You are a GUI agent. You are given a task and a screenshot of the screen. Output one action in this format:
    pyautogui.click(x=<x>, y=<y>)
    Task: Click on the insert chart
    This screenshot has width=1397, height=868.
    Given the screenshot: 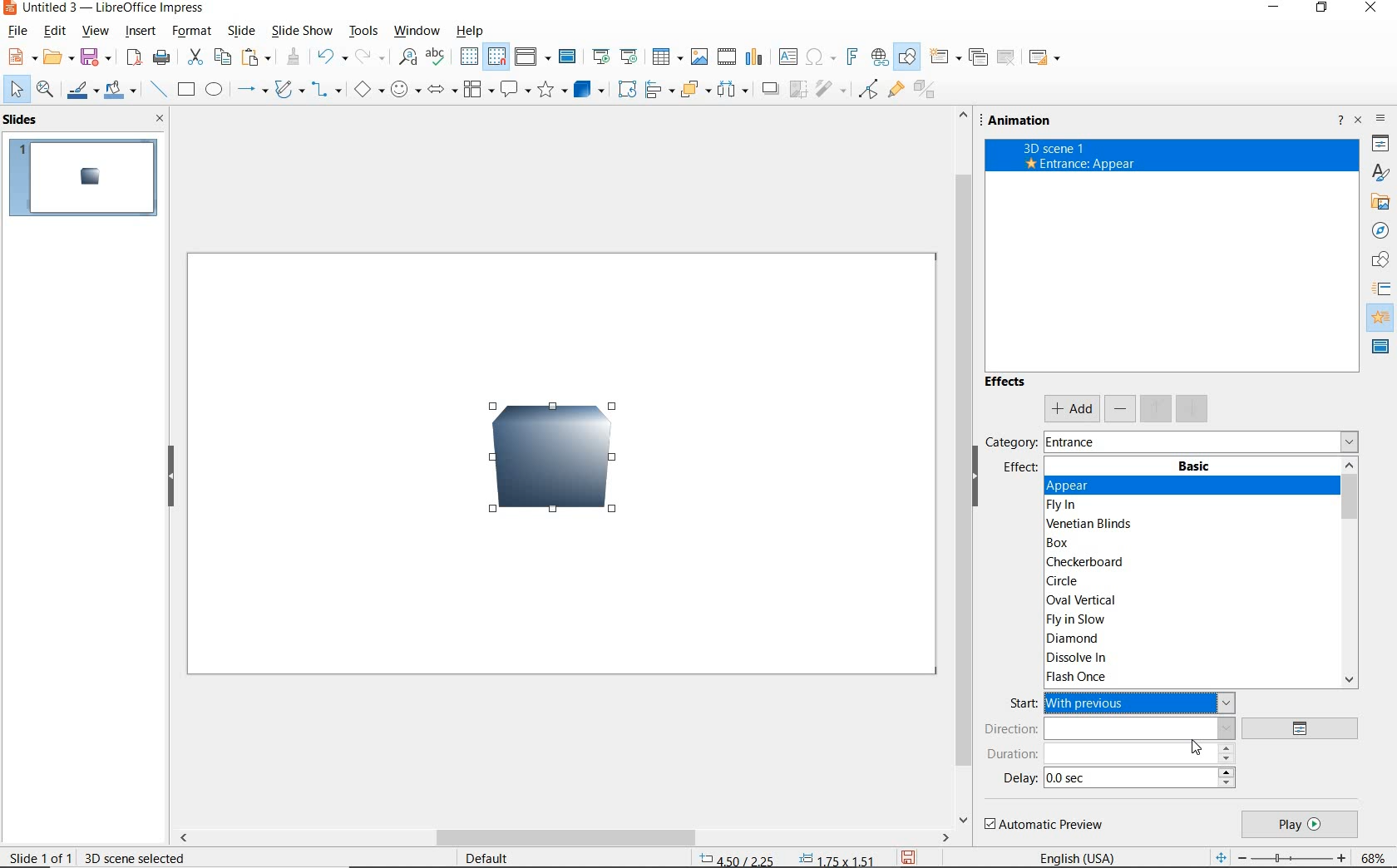 What is the action you would take?
    pyautogui.click(x=755, y=58)
    